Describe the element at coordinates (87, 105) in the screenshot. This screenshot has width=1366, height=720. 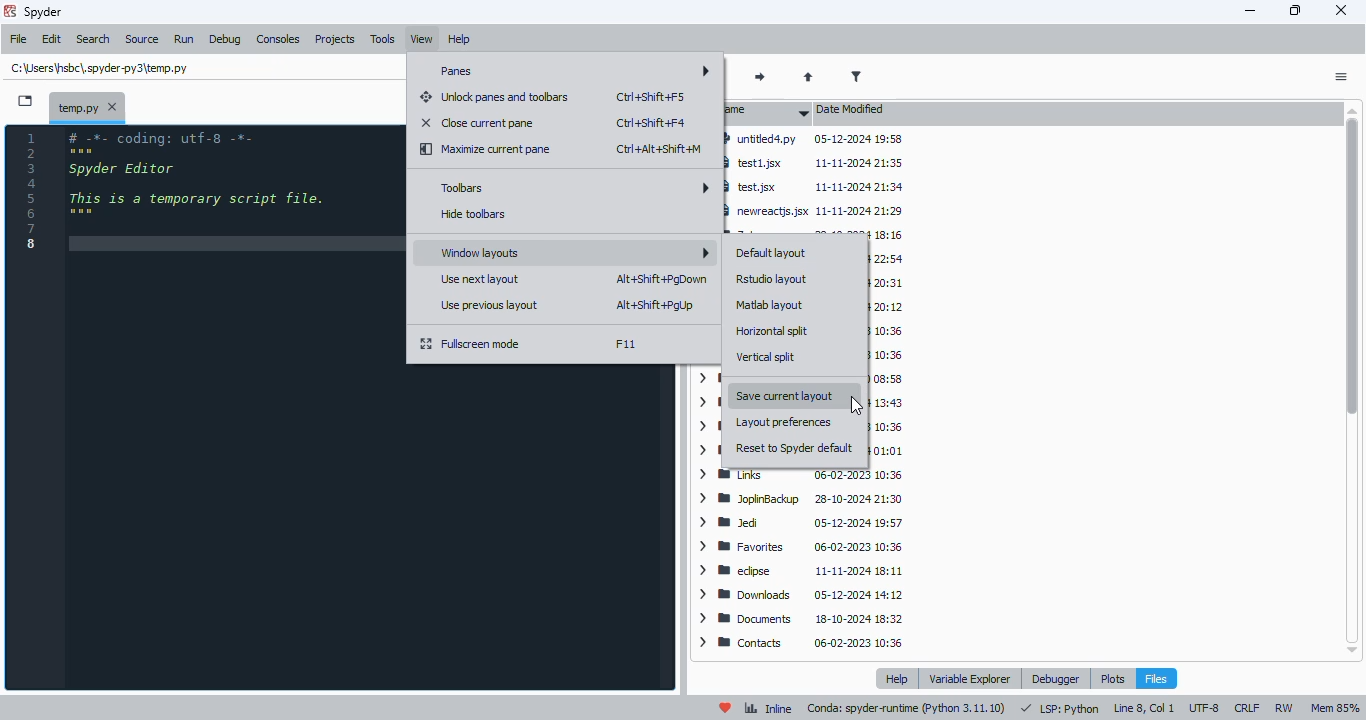
I see `temporary file` at that location.